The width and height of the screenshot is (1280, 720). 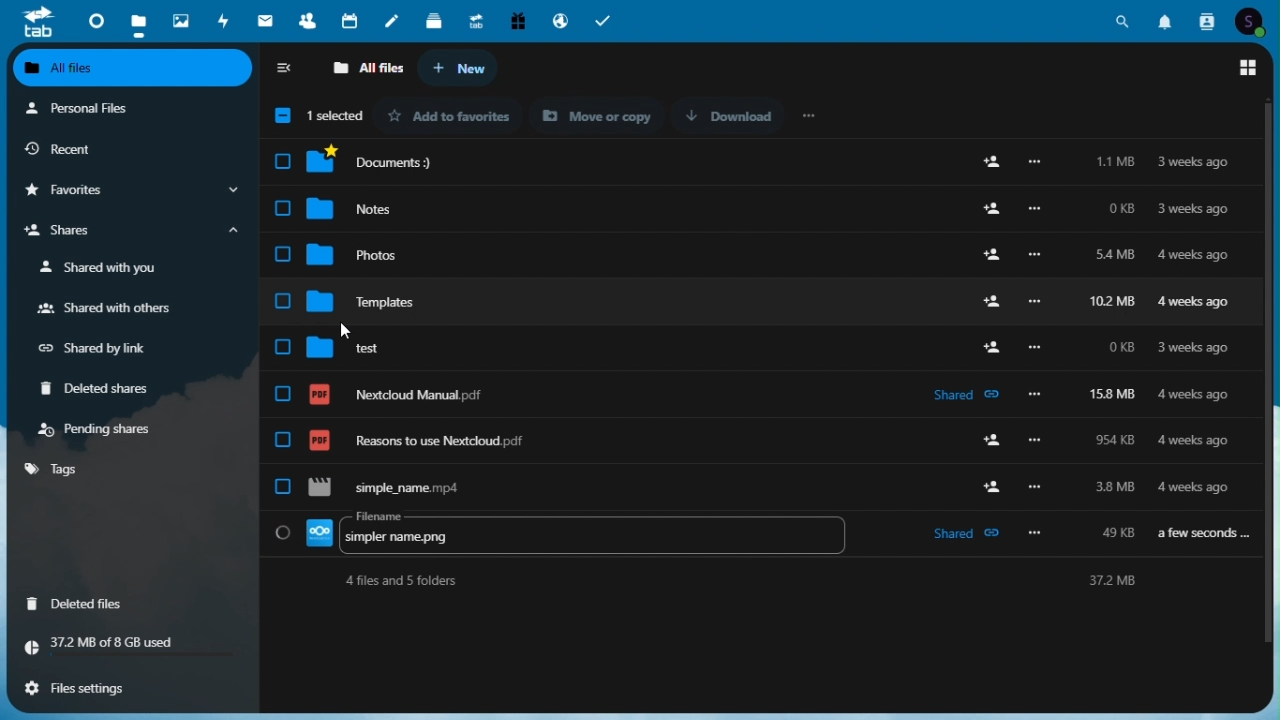 What do you see at coordinates (761, 204) in the screenshot?
I see `Notes  0KB  3weeksago` at bounding box center [761, 204].